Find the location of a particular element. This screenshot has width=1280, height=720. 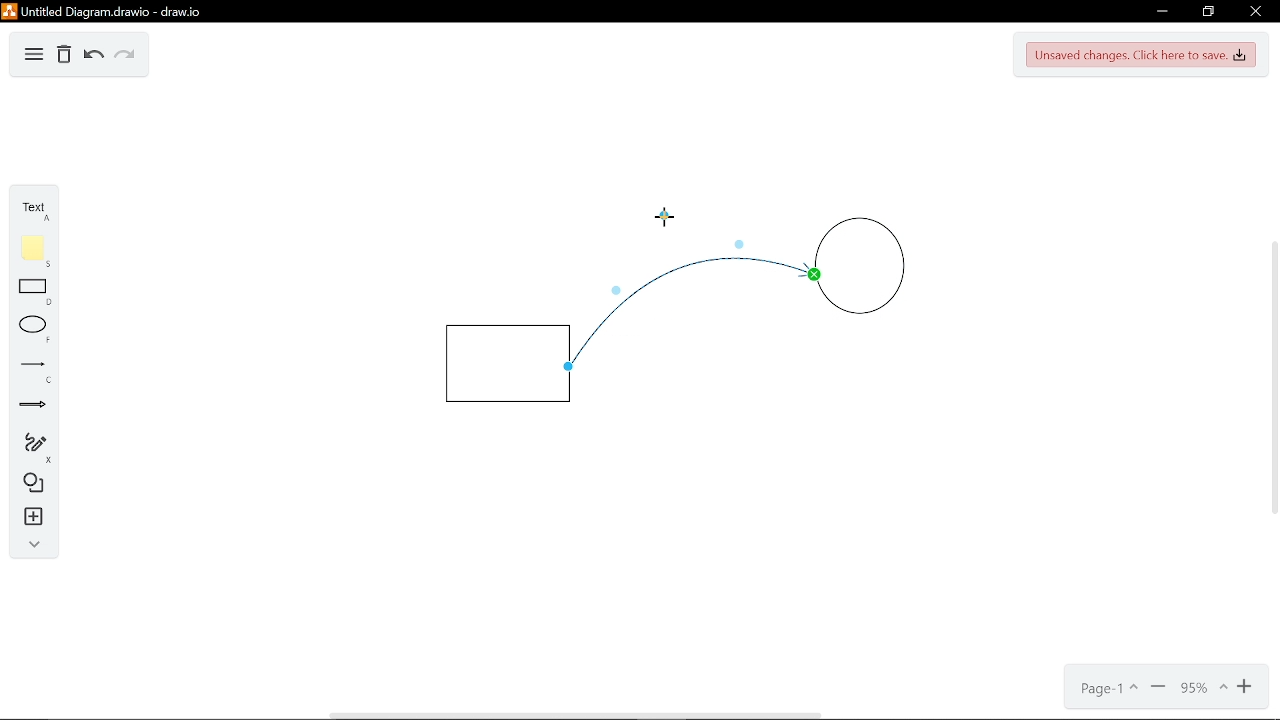

Arrow is located at coordinates (28, 407).